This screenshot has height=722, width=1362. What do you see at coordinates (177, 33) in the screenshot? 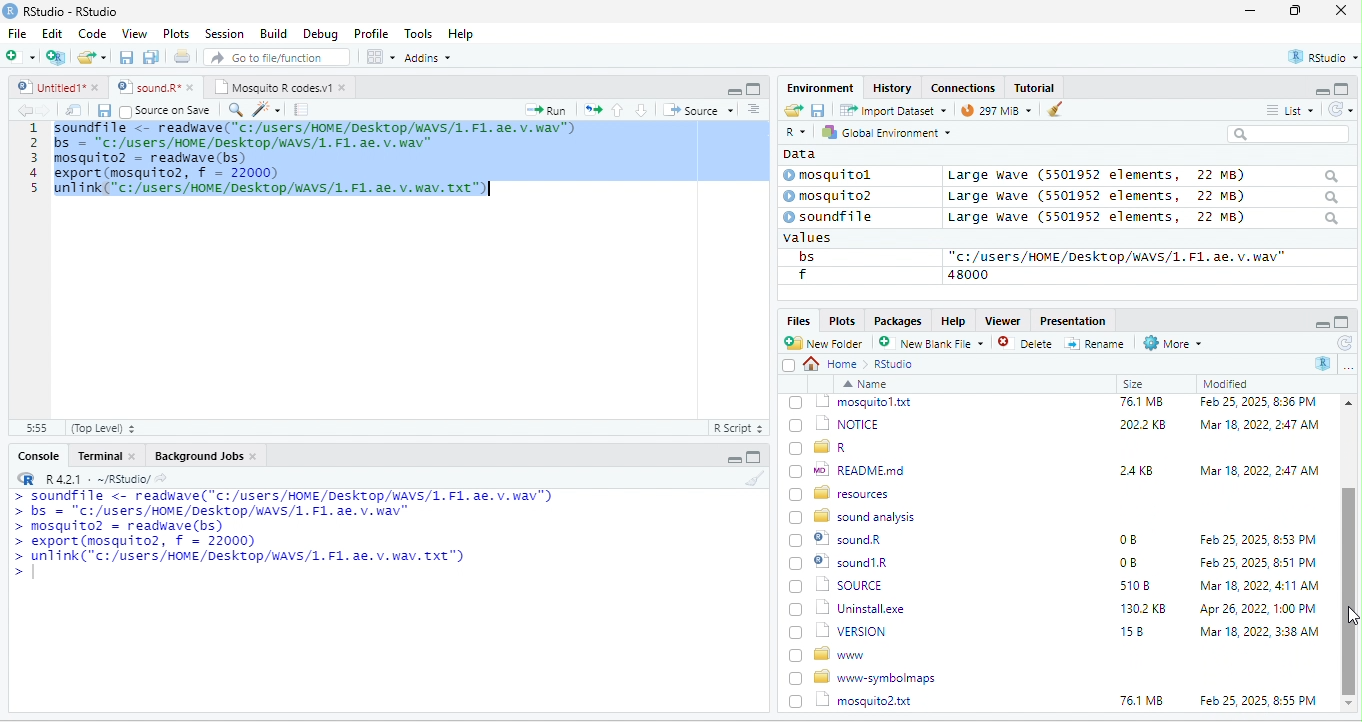
I see `Plots` at bounding box center [177, 33].